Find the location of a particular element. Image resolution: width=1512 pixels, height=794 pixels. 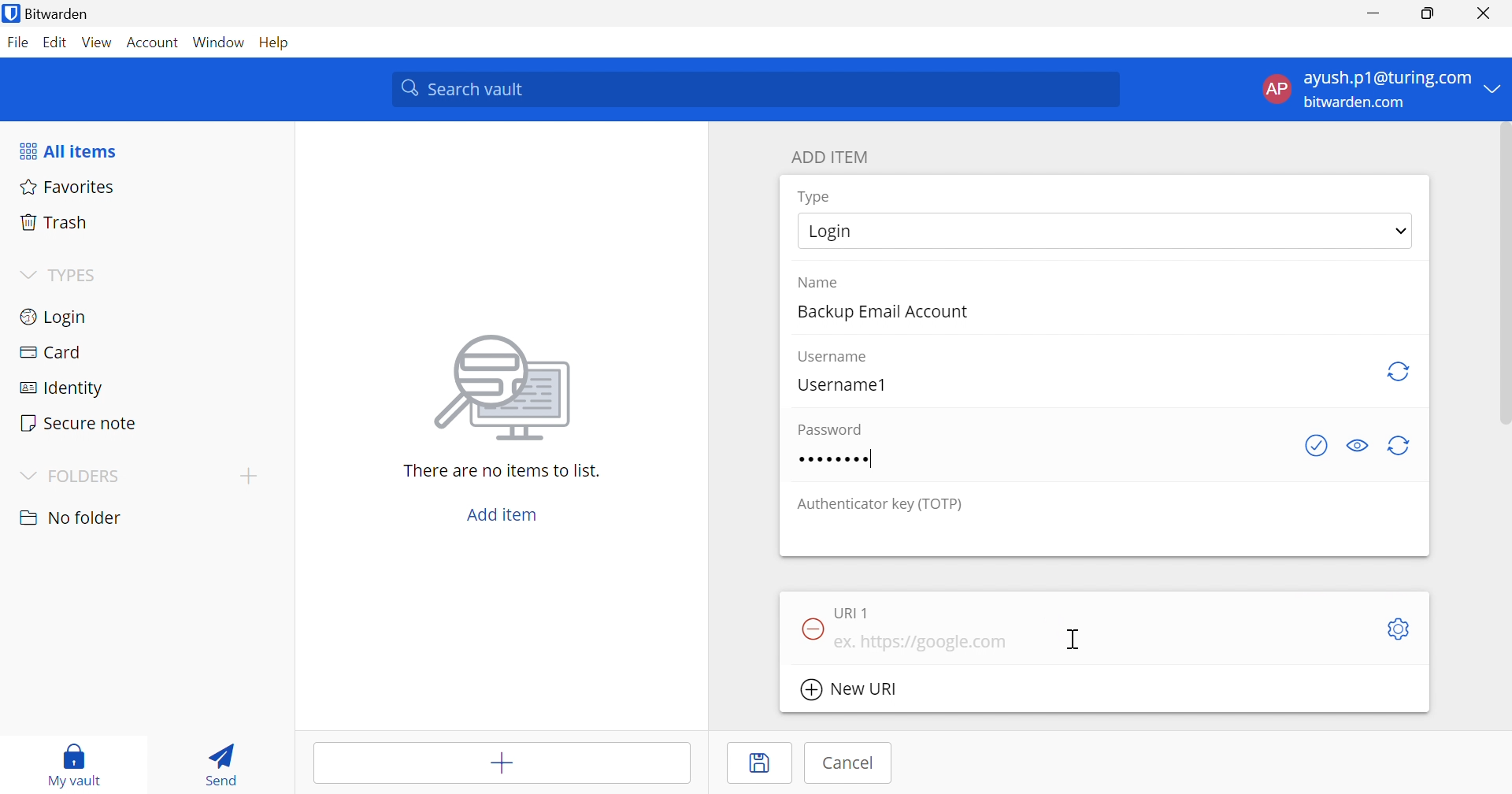

AP is located at coordinates (1275, 89).